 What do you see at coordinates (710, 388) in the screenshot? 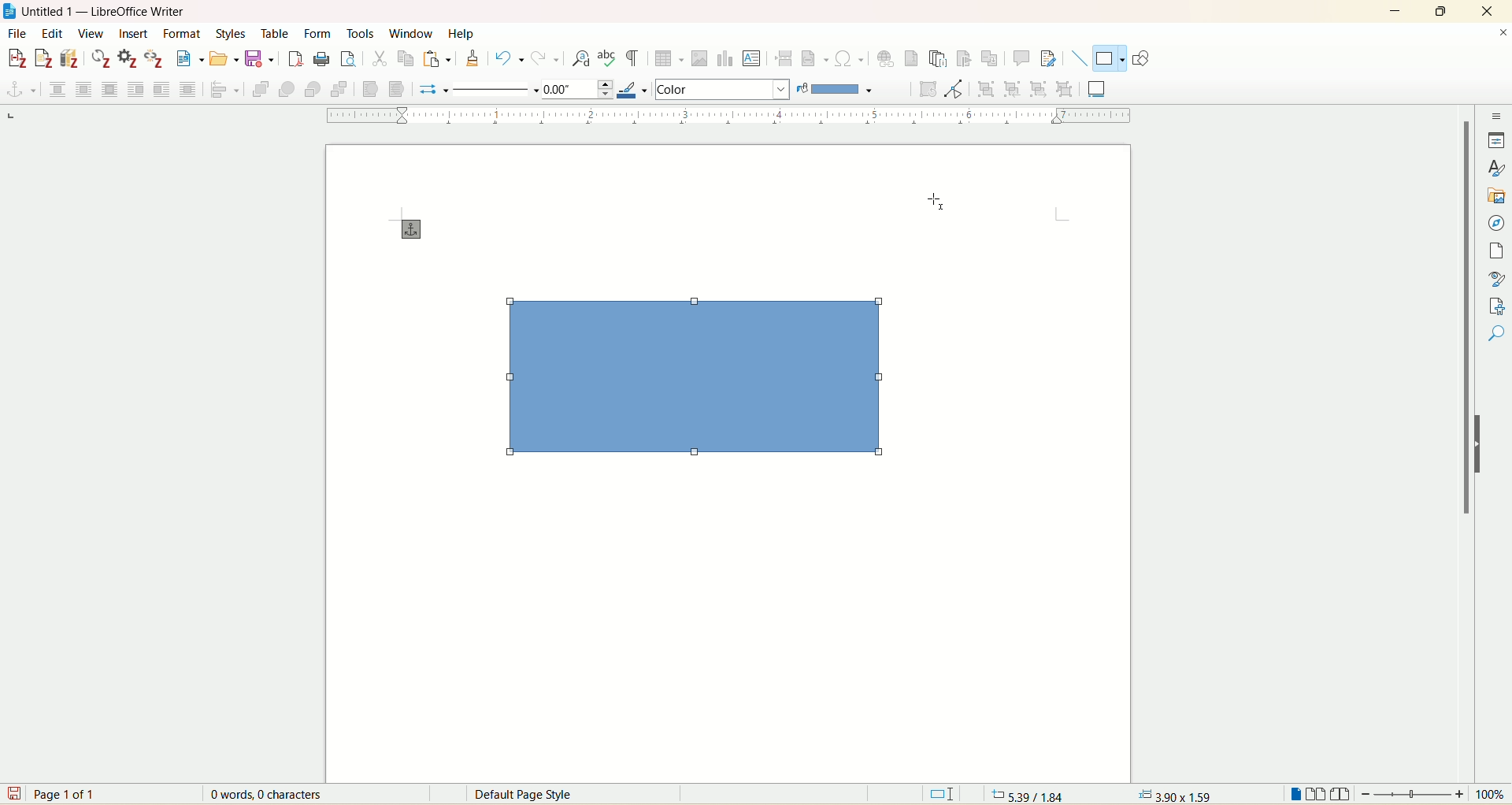
I see `rectangle shape` at bounding box center [710, 388].